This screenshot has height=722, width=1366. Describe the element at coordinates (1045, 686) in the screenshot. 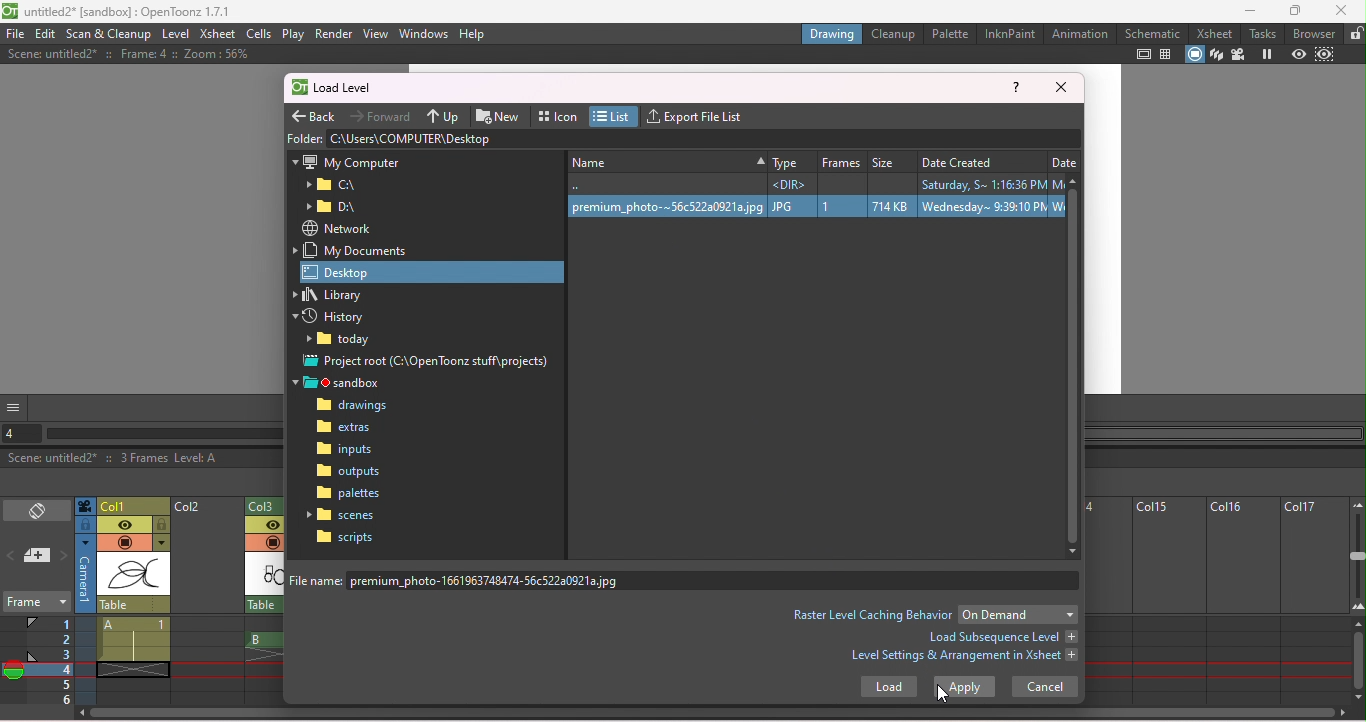

I see `Cancel` at that location.